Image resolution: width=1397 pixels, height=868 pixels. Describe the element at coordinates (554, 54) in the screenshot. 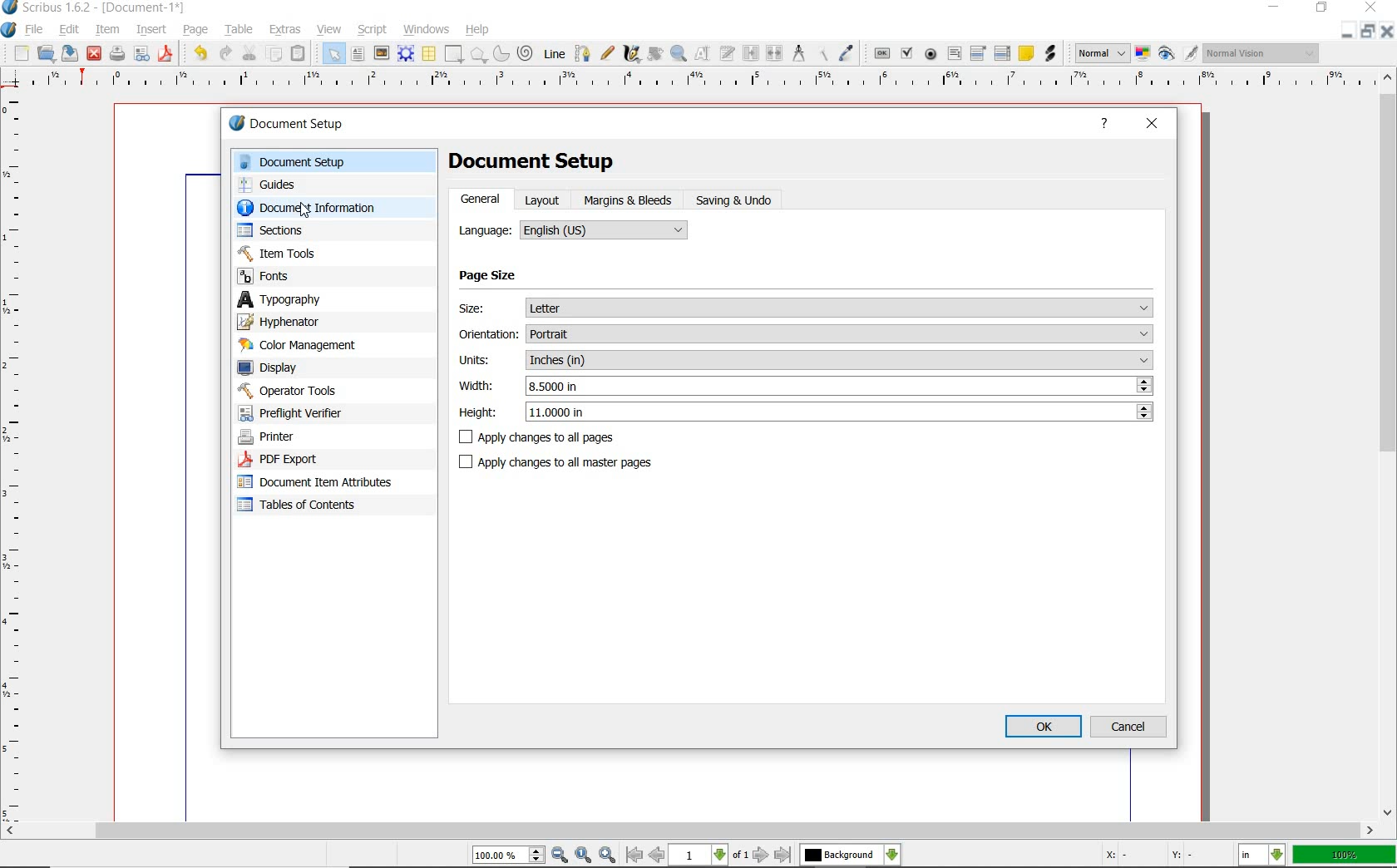

I see `Line` at that location.